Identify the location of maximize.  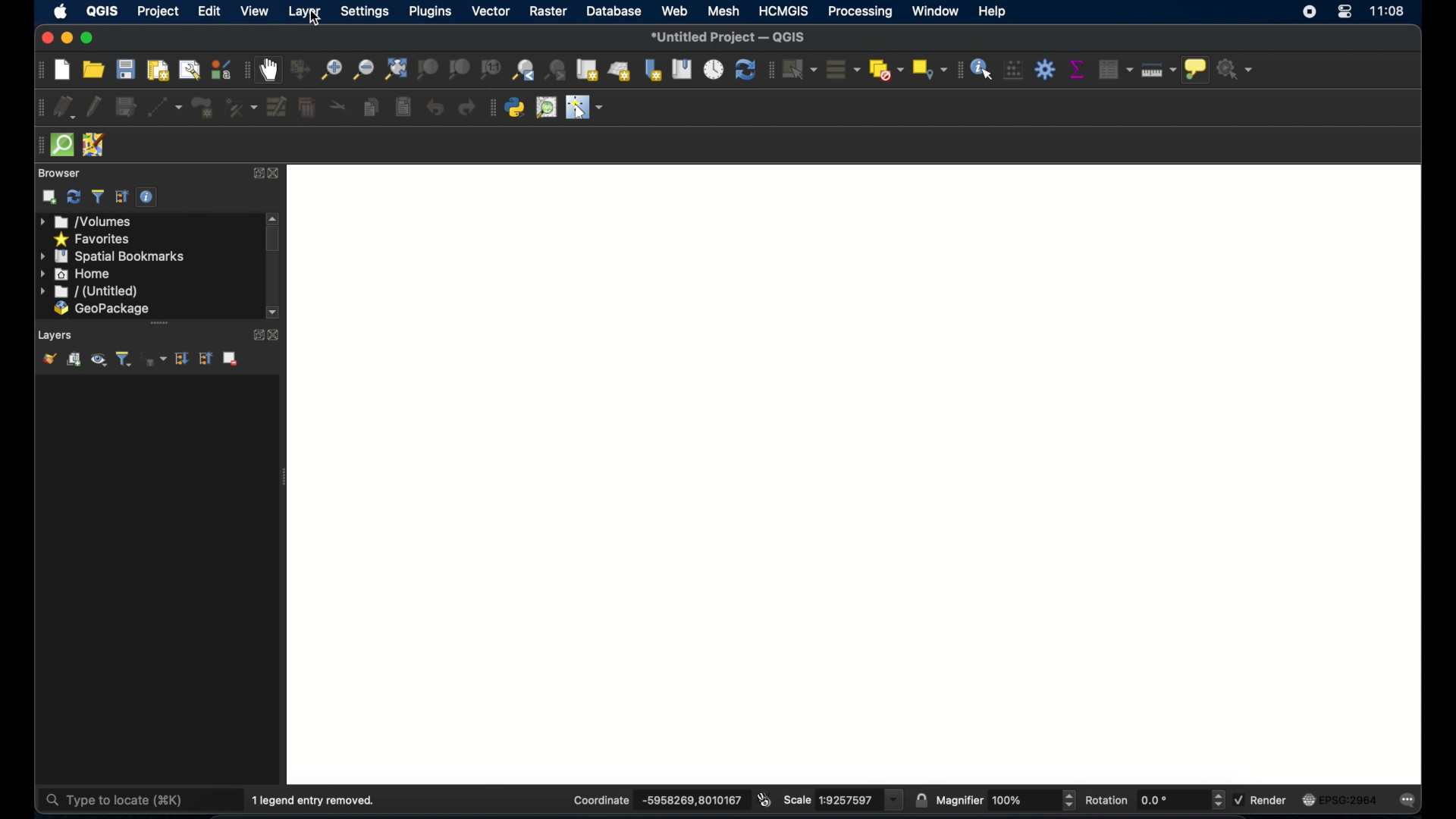
(87, 38).